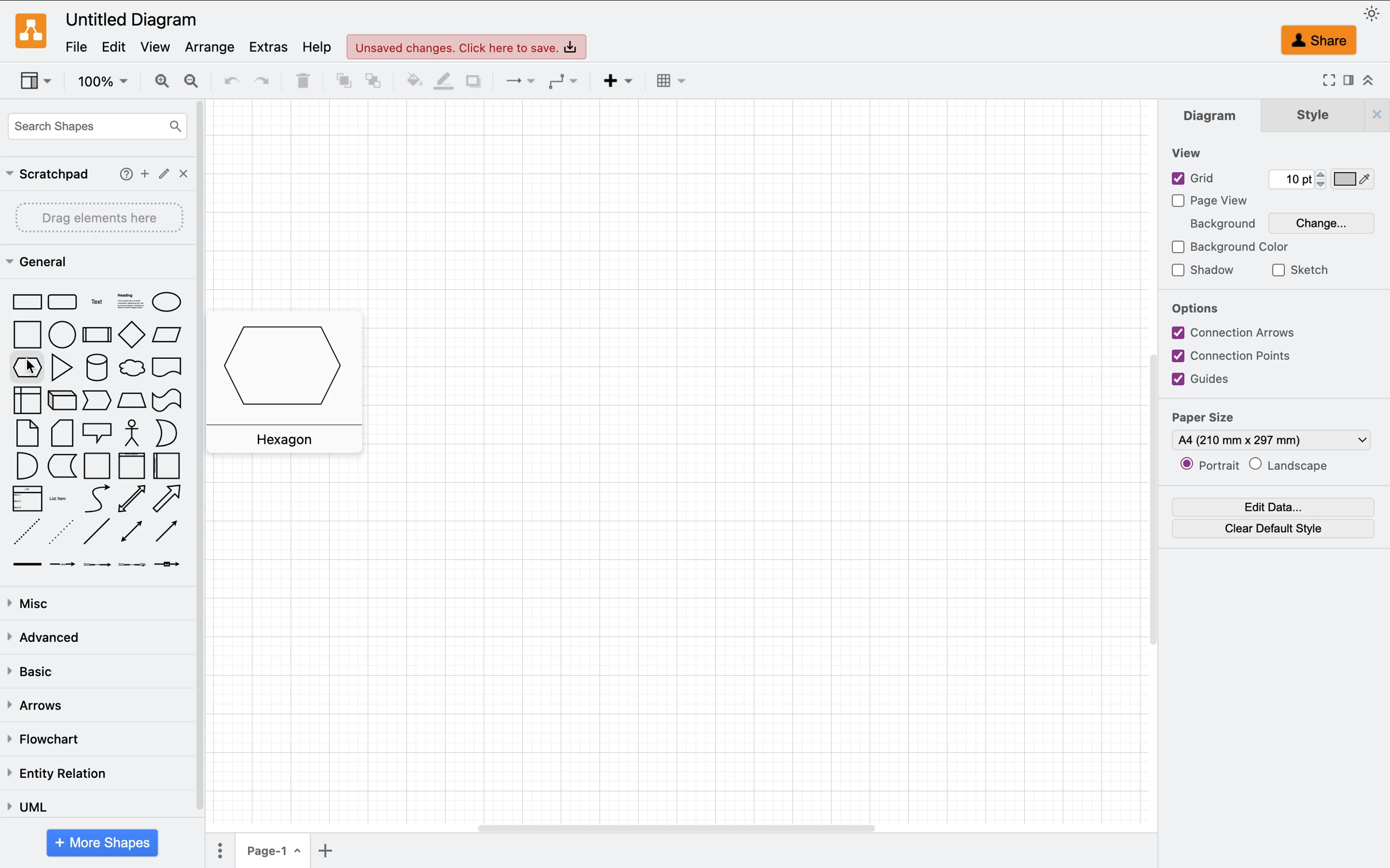  Describe the element at coordinates (303, 81) in the screenshot. I see `table` at that location.